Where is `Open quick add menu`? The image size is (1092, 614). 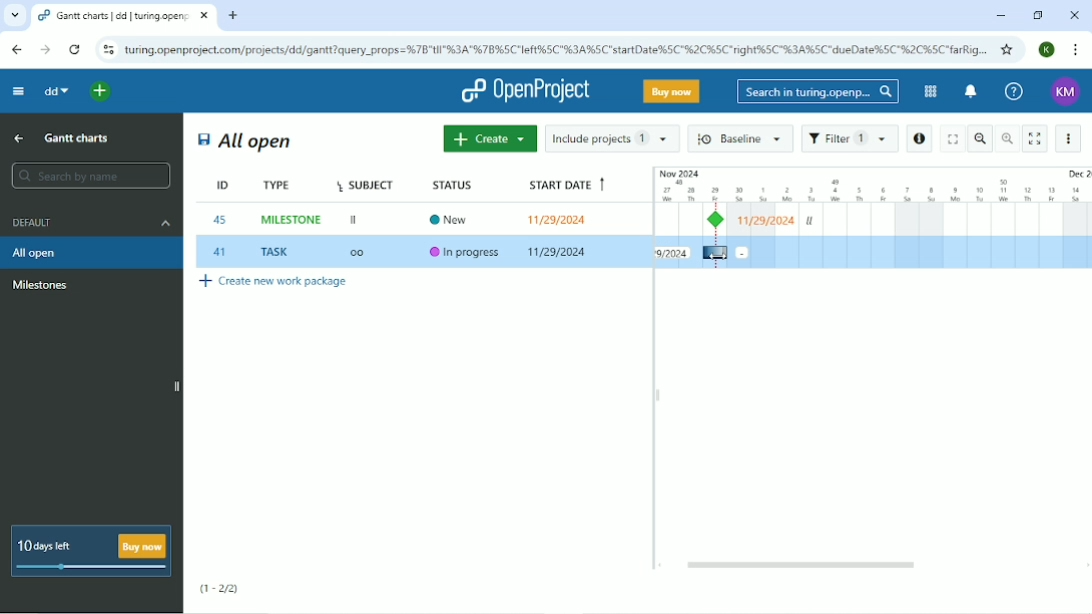
Open quick add menu is located at coordinates (103, 92).